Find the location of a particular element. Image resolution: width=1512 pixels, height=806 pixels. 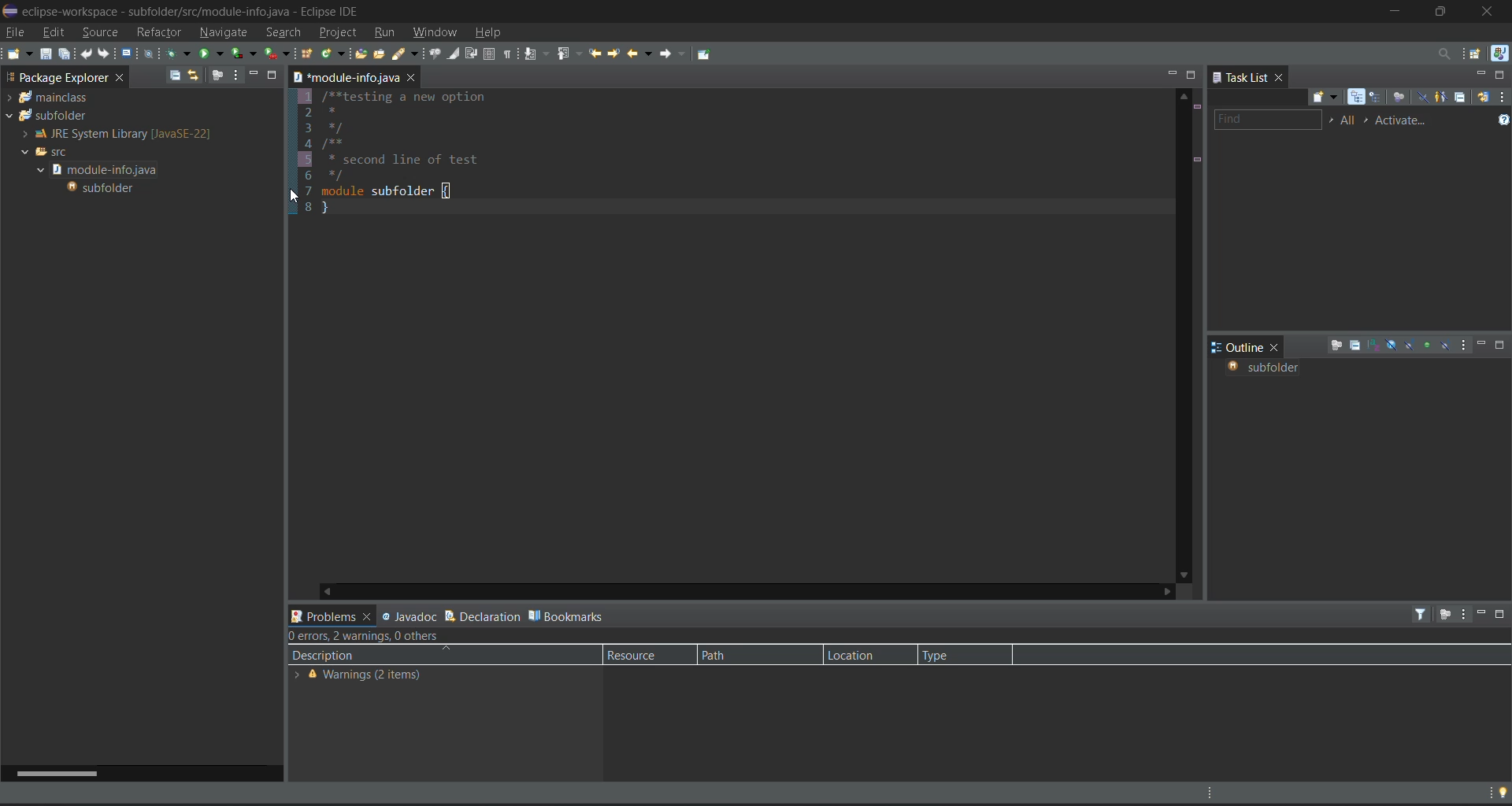

edit is located at coordinates (51, 31).